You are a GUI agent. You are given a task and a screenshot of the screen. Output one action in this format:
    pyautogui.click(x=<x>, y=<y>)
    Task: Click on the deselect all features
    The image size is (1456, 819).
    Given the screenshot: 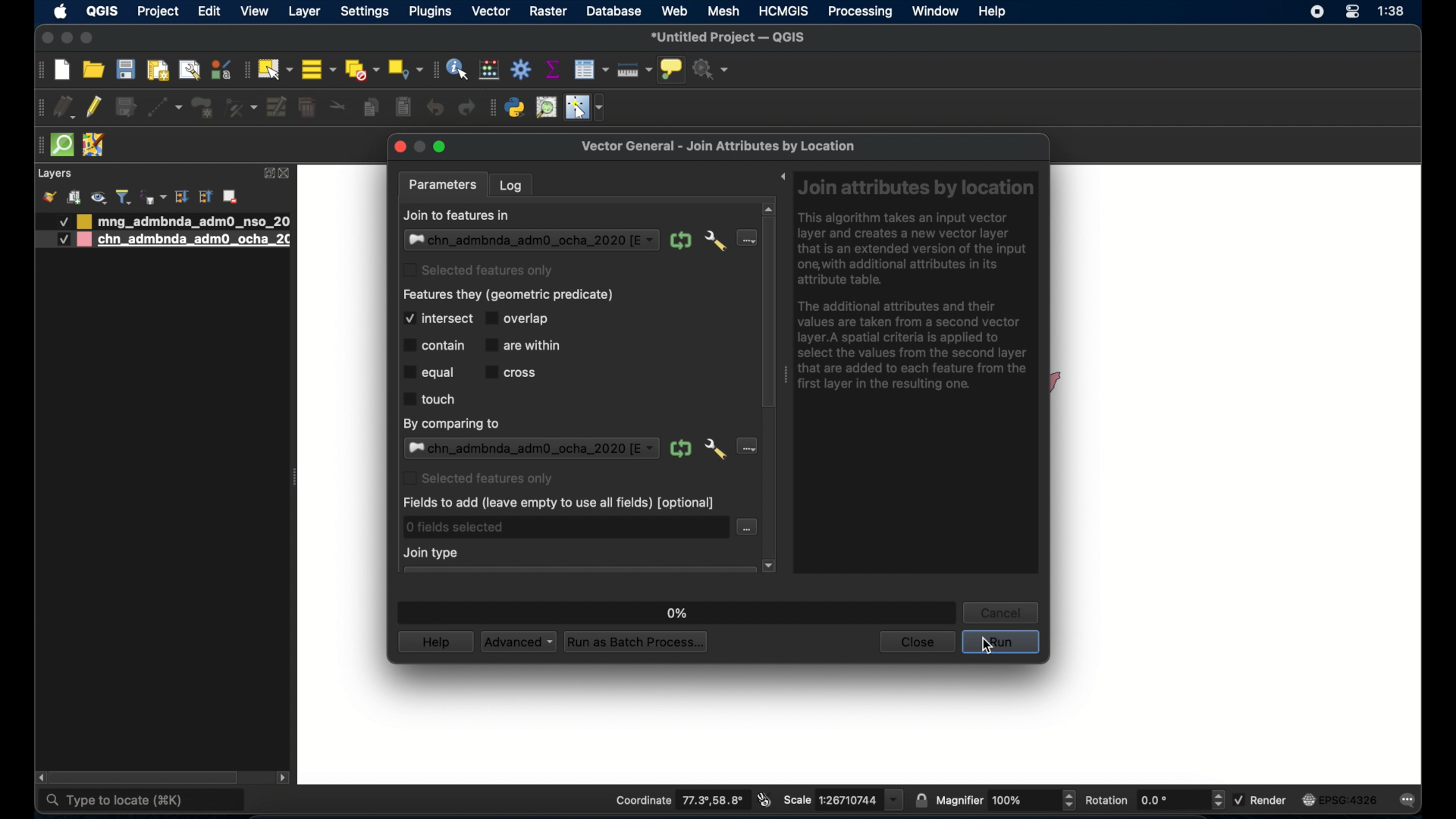 What is the action you would take?
    pyautogui.click(x=360, y=70)
    